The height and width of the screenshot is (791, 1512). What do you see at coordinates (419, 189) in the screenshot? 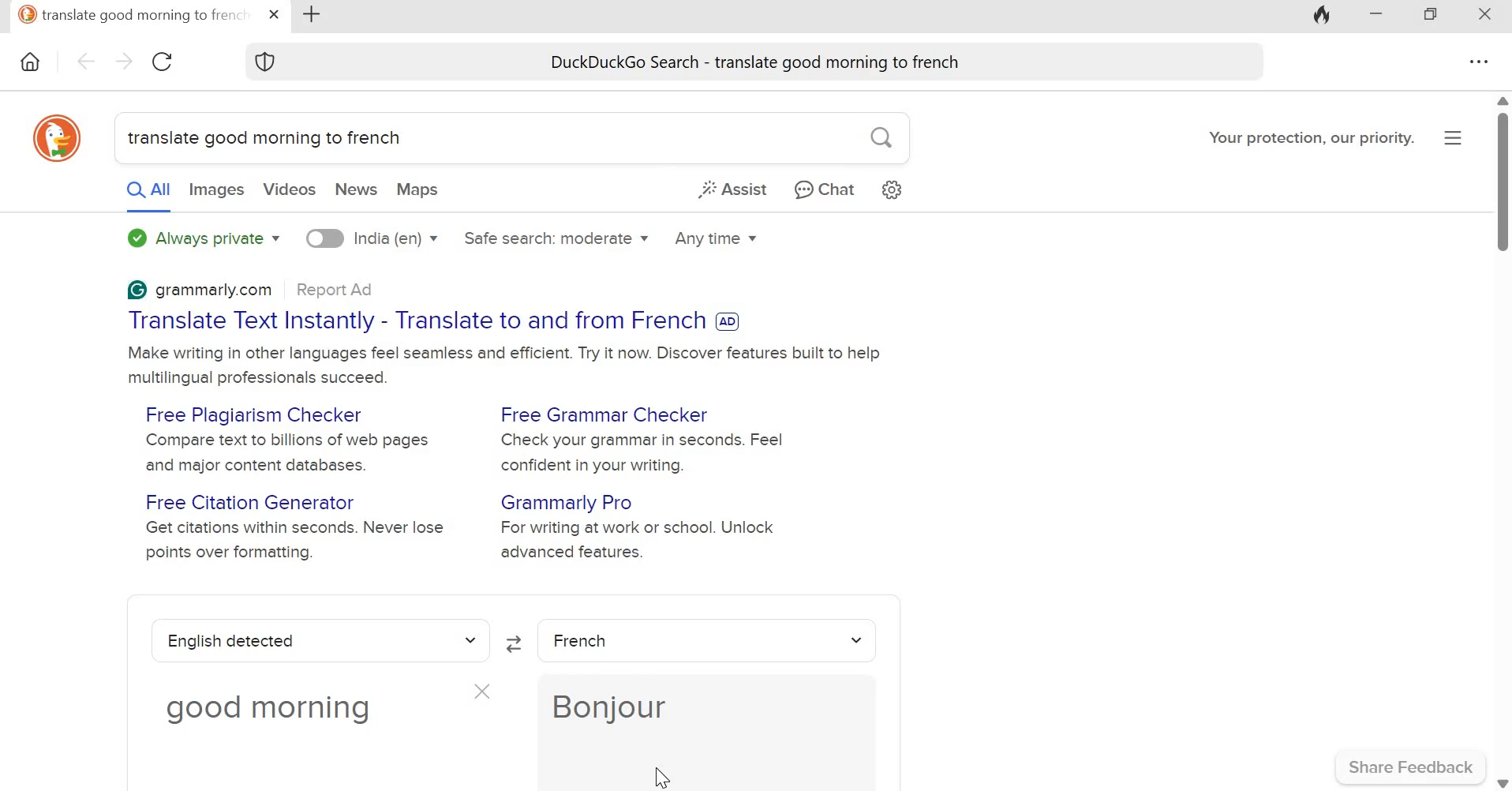
I see `Maps` at bounding box center [419, 189].